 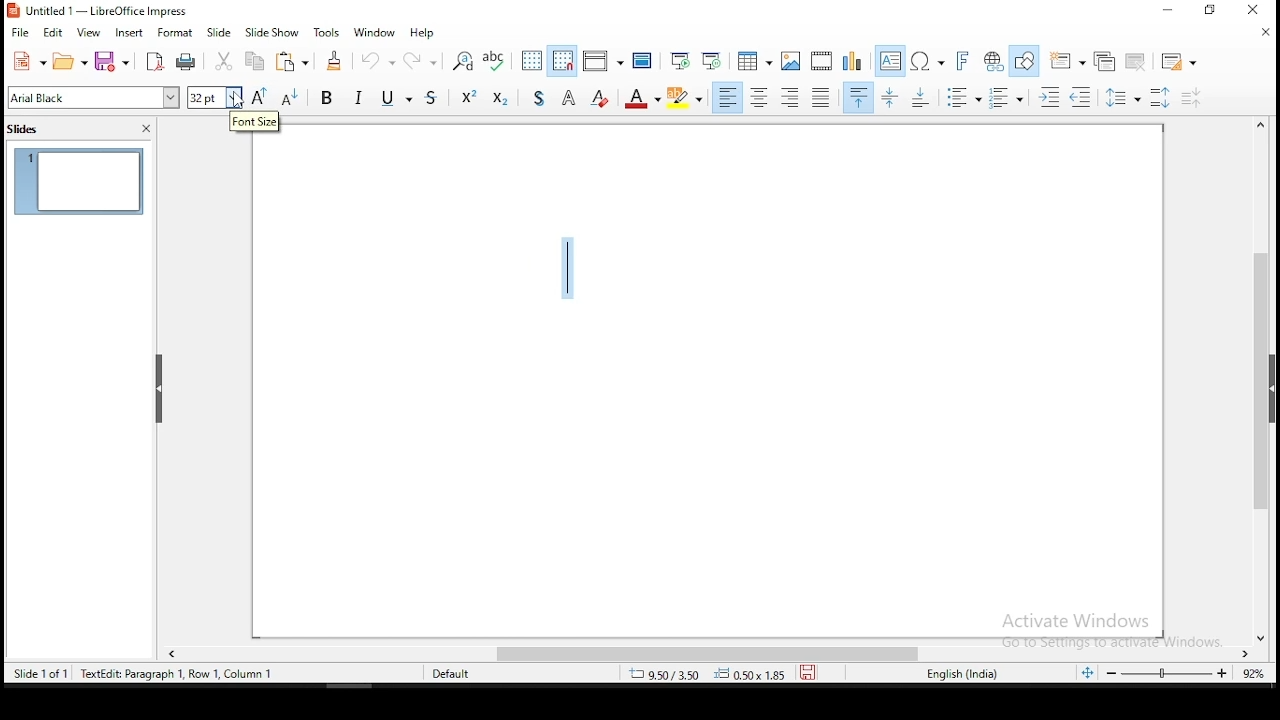 What do you see at coordinates (963, 98) in the screenshot?
I see `Bullet points` at bounding box center [963, 98].